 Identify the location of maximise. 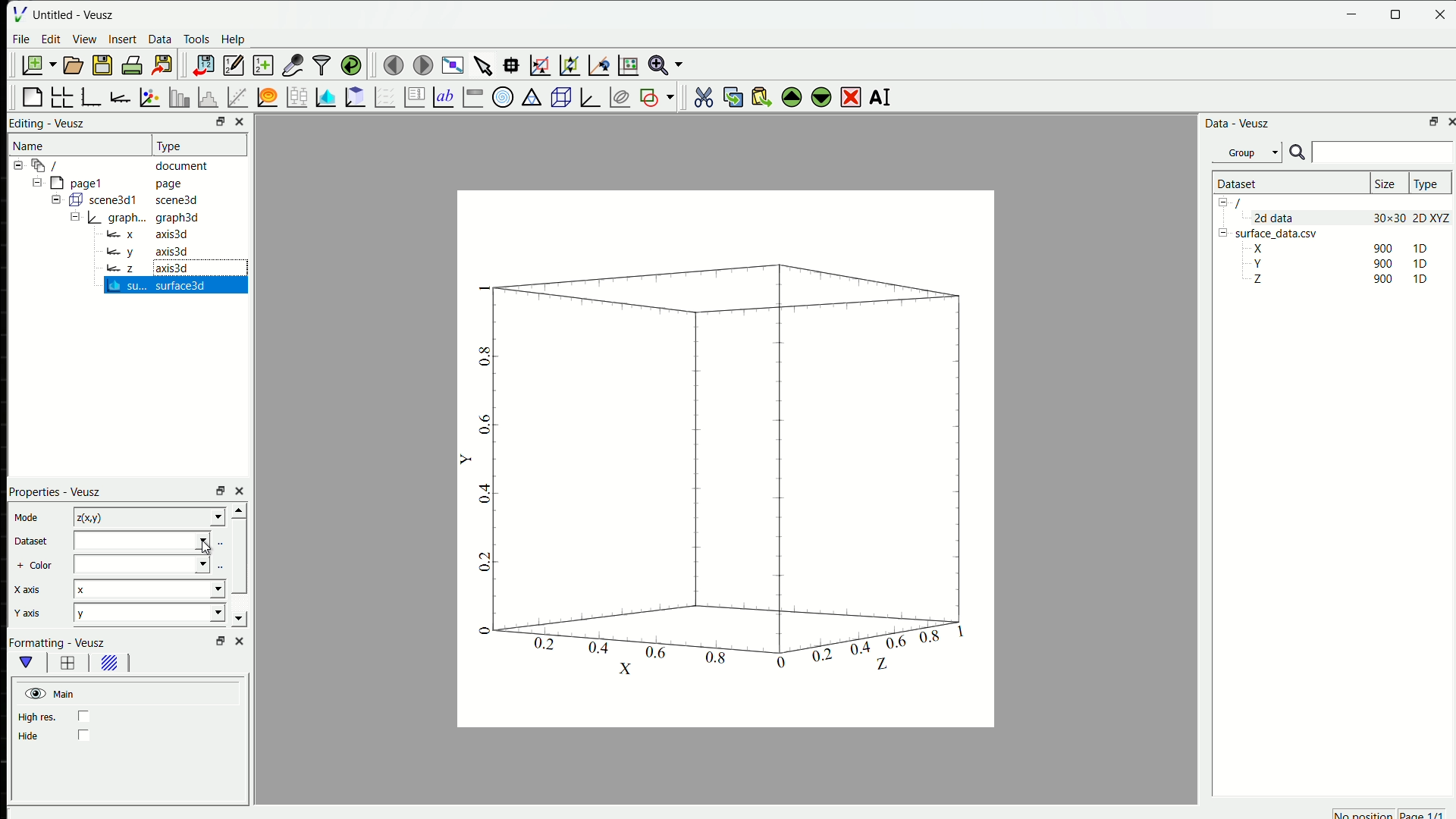
(1396, 14).